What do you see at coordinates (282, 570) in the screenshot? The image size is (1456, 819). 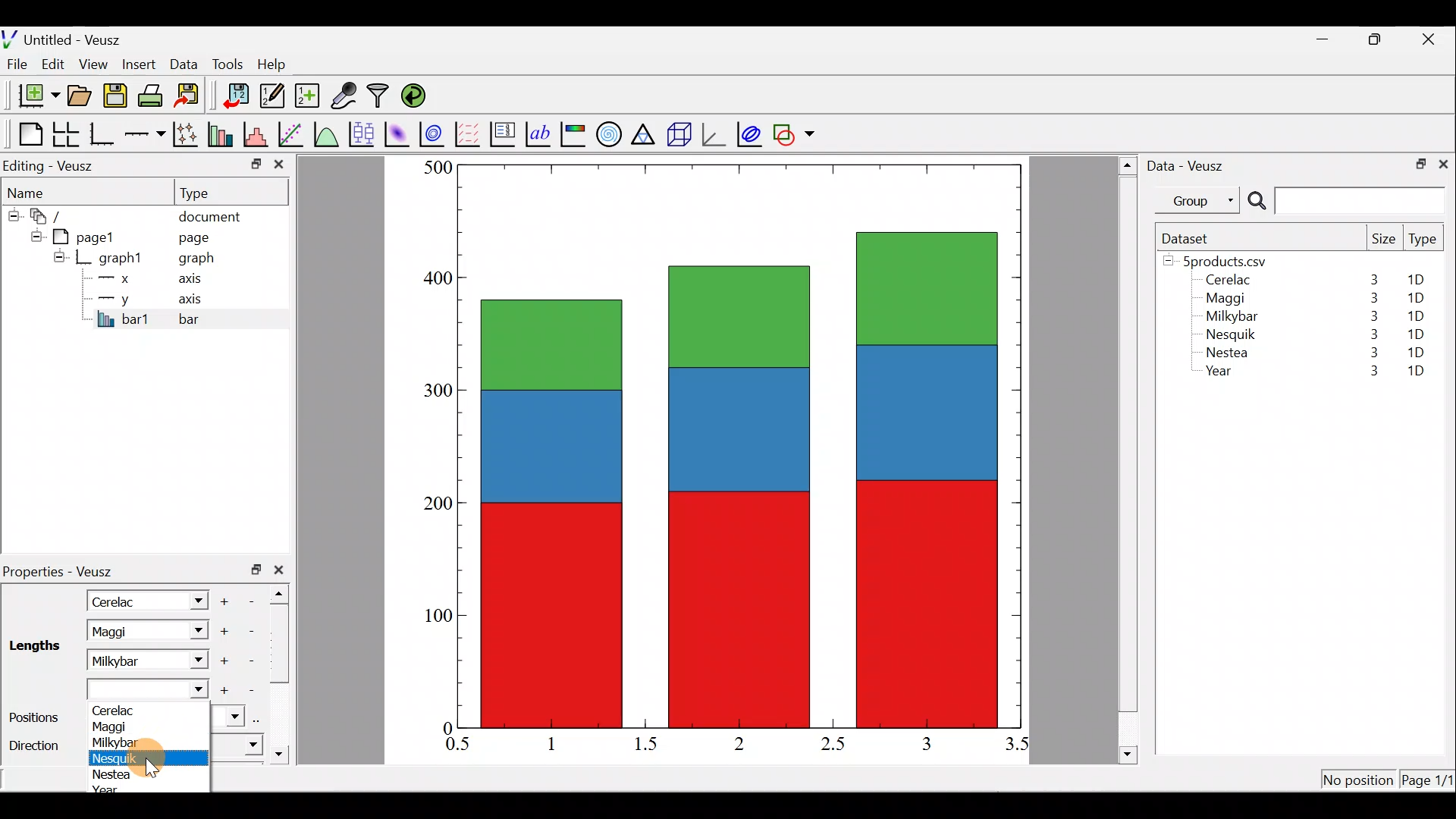 I see `close` at bounding box center [282, 570].